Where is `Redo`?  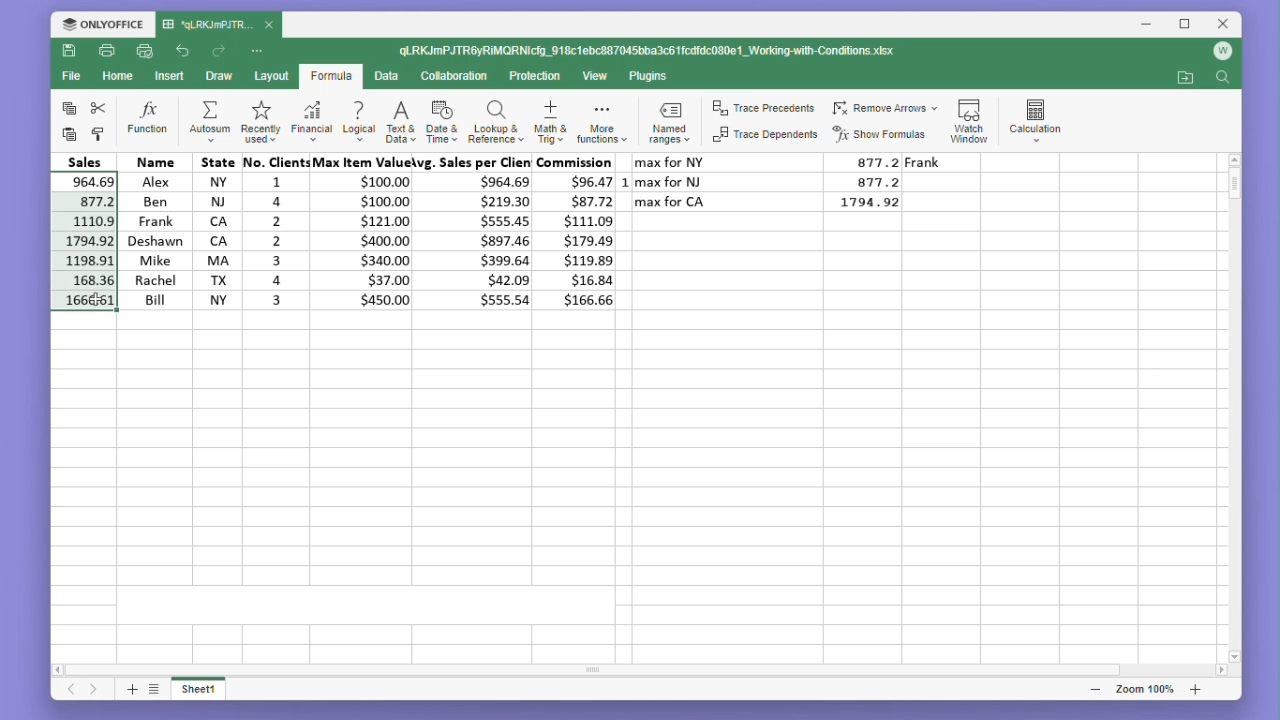 Redo is located at coordinates (220, 51).